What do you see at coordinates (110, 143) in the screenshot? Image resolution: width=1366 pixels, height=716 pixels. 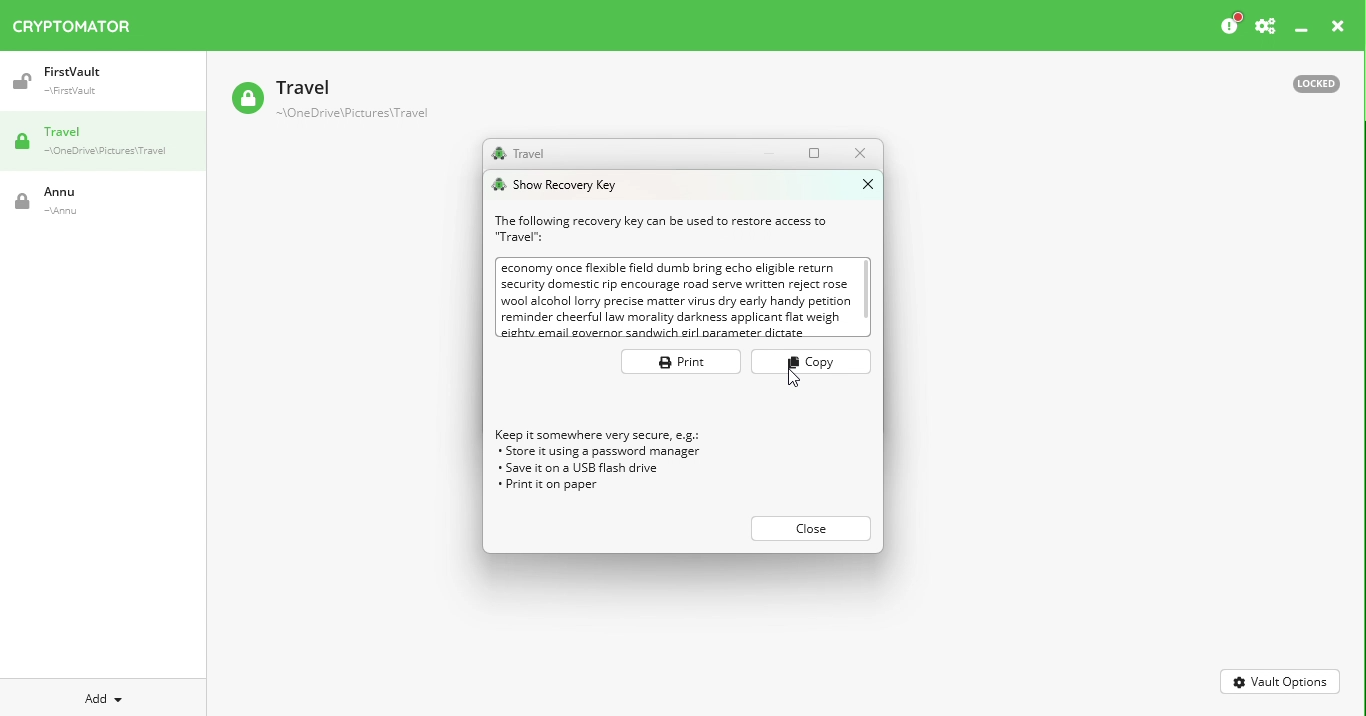 I see `Travel` at bounding box center [110, 143].